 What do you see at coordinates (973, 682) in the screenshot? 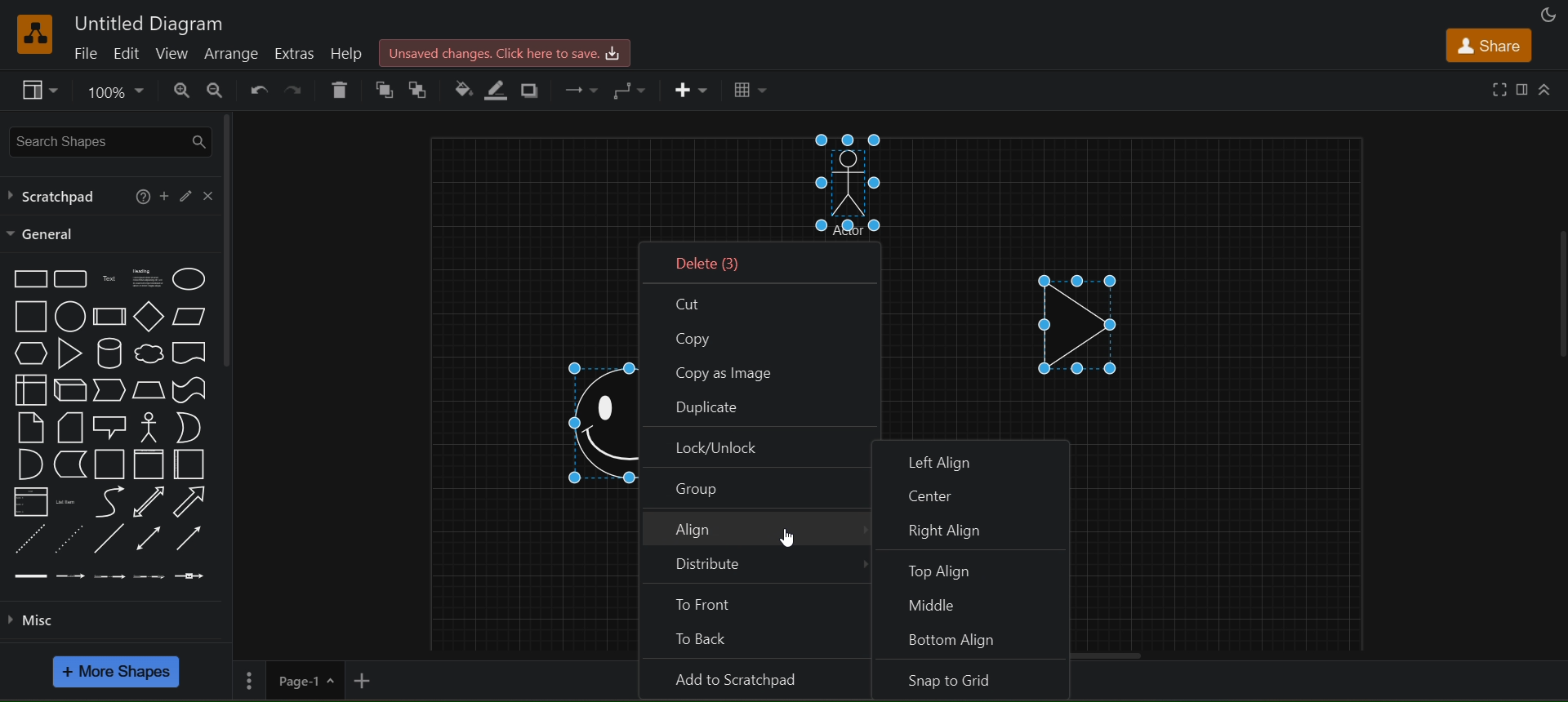
I see `snap to grid` at bounding box center [973, 682].